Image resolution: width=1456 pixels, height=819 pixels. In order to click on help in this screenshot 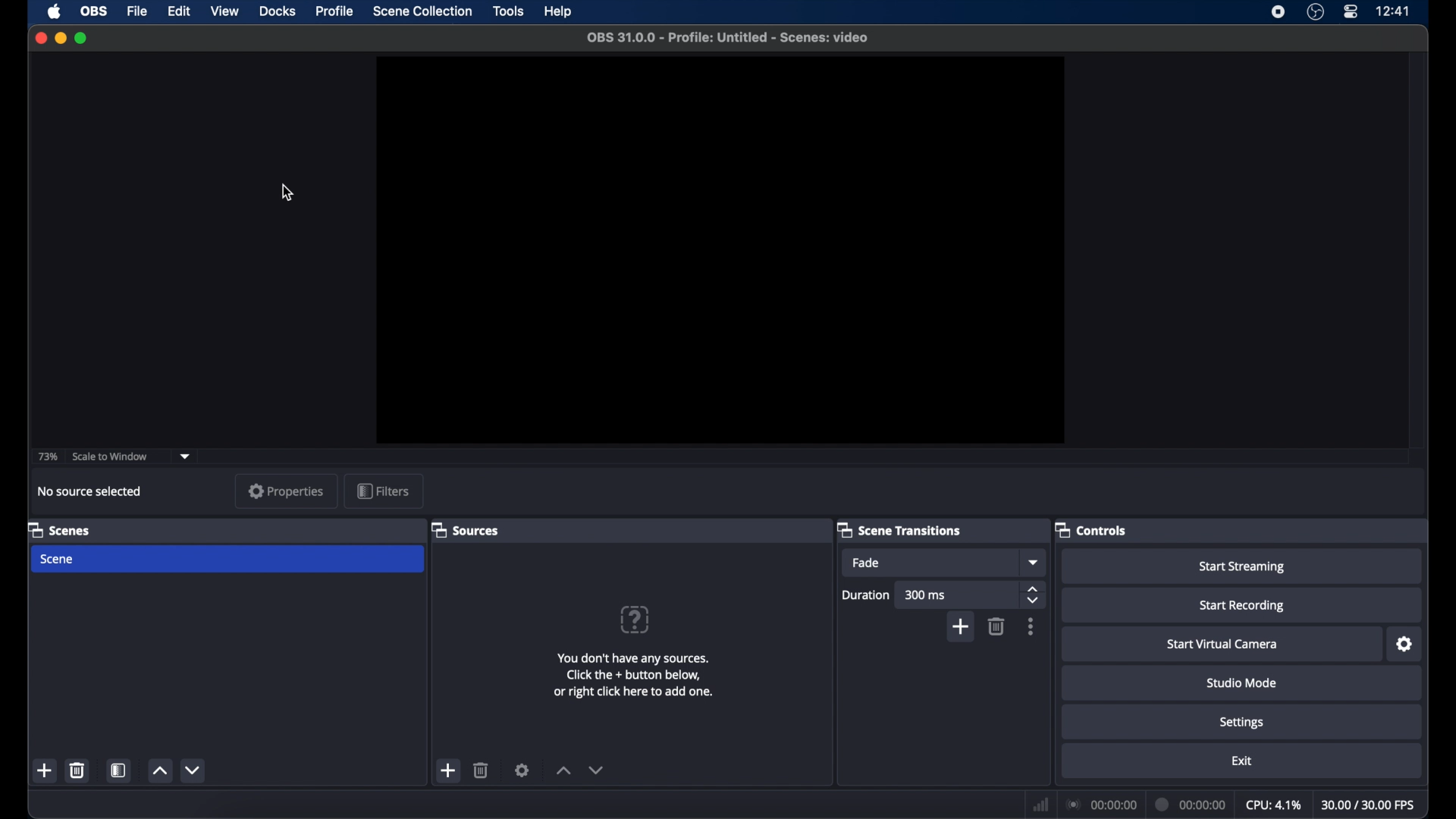, I will do `click(557, 11)`.